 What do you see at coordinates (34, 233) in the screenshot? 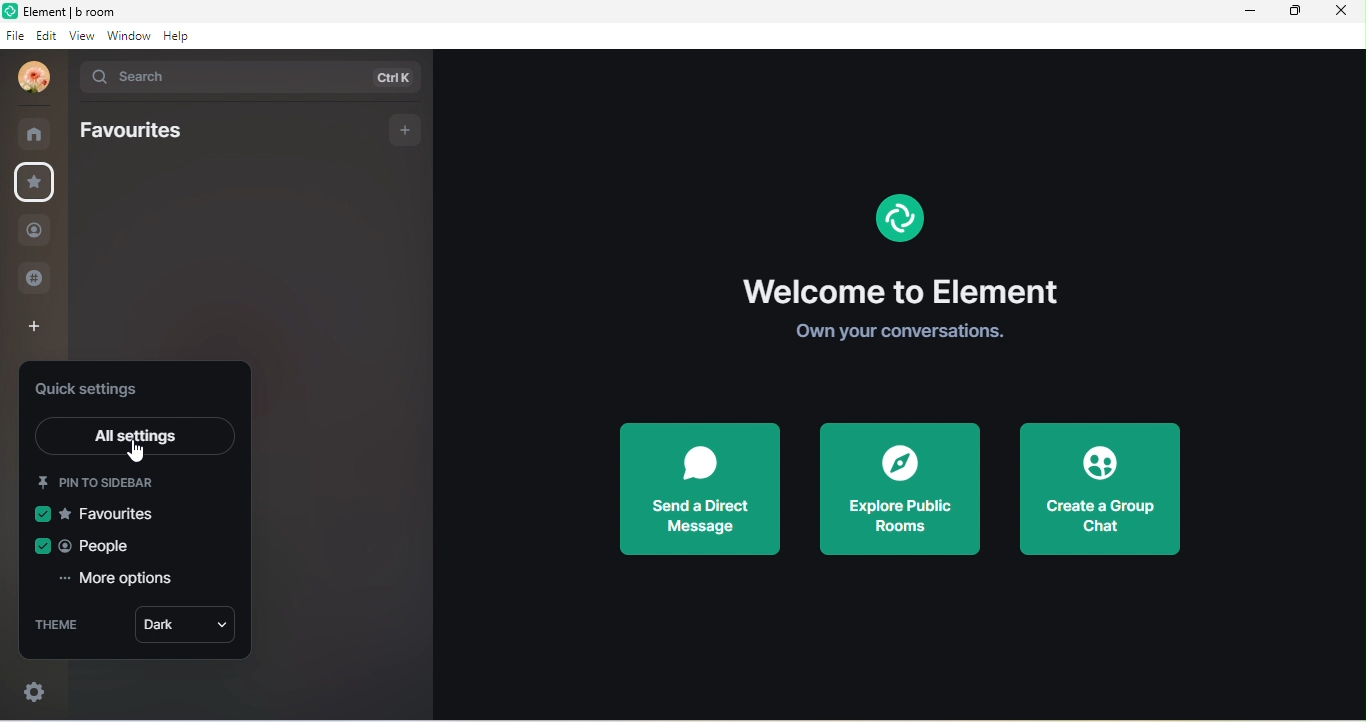
I see `people` at bounding box center [34, 233].